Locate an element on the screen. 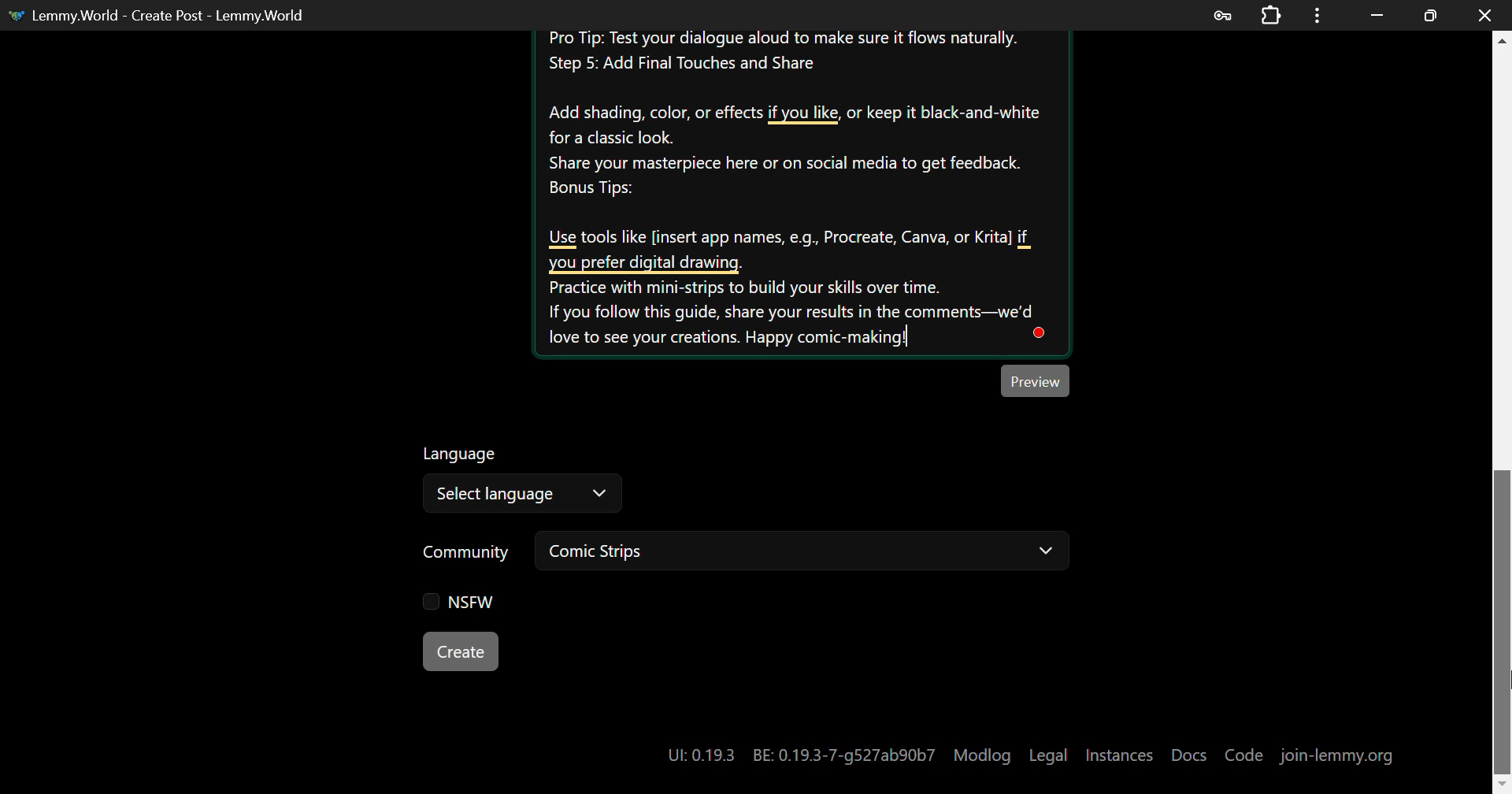 Image resolution: width=1512 pixels, height=794 pixels. join-lemmy.org is located at coordinates (1338, 755).